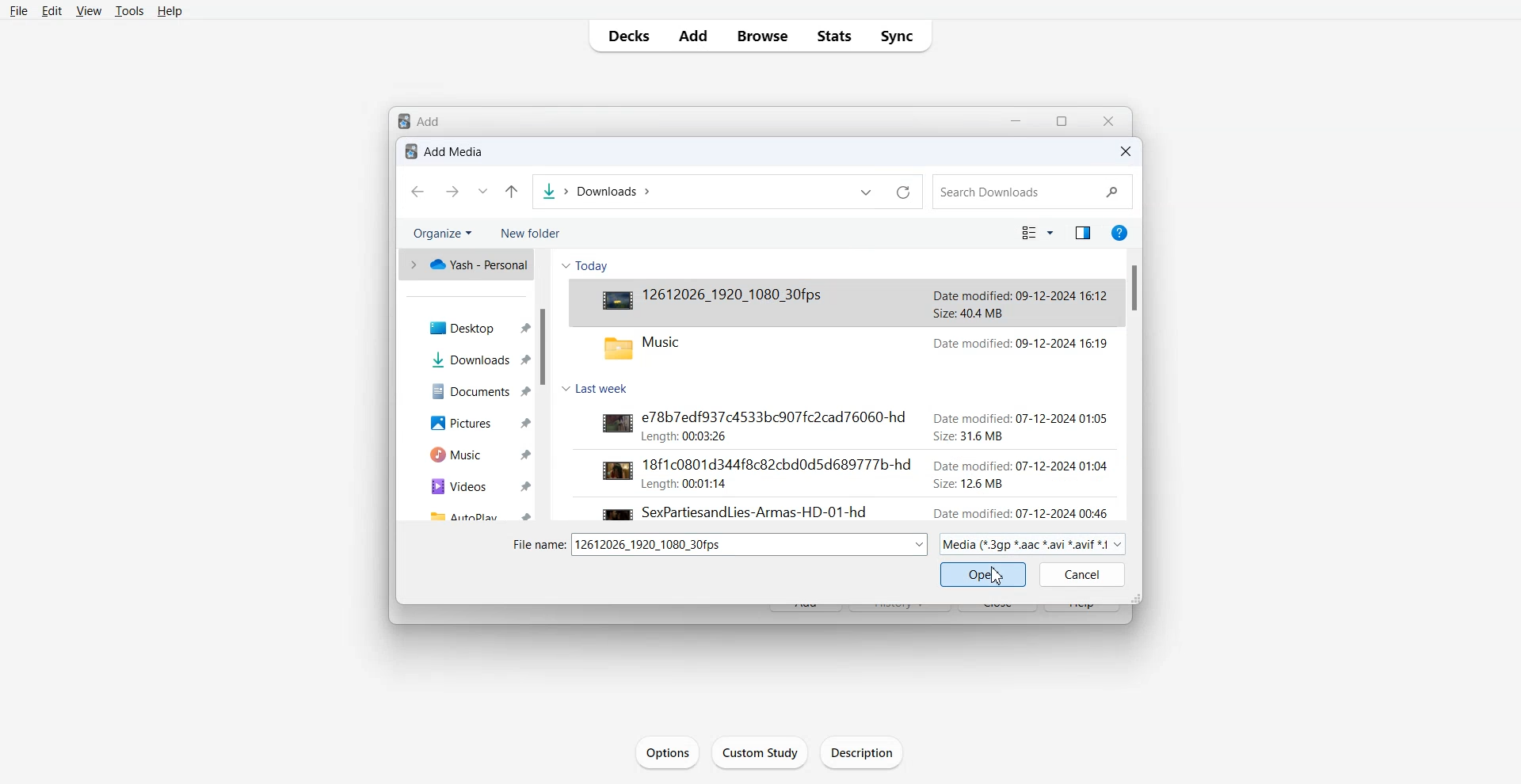 The image size is (1521, 784). I want to click on resize, so click(1060, 120).